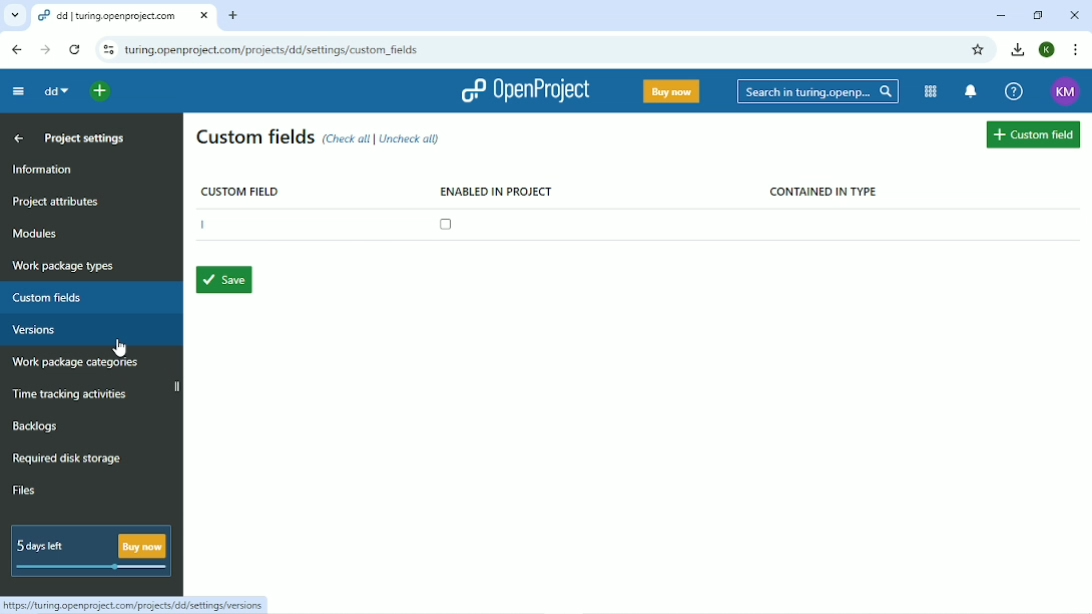  I want to click on Back, so click(18, 50).